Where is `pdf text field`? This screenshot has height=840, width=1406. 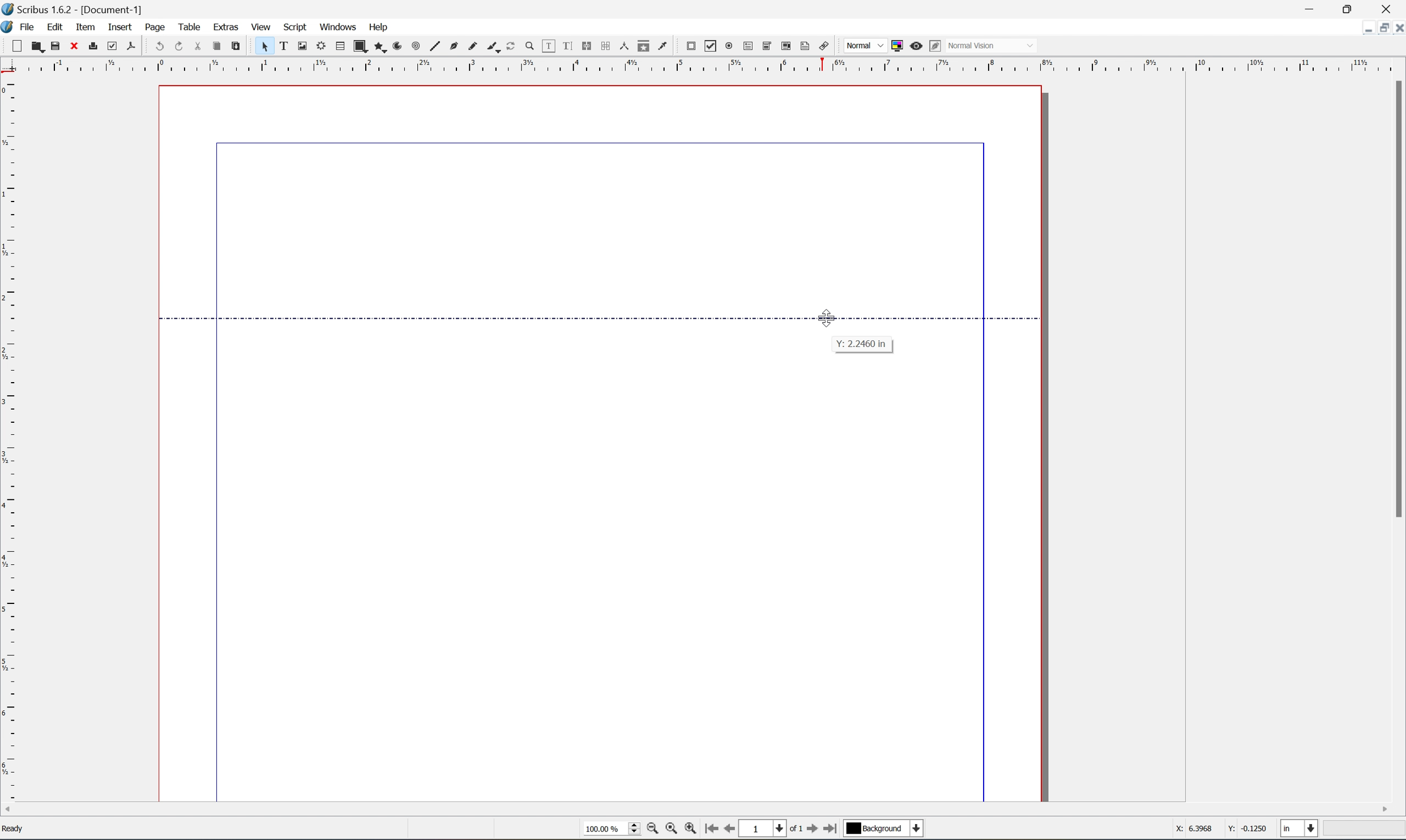 pdf text field is located at coordinates (750, 46).